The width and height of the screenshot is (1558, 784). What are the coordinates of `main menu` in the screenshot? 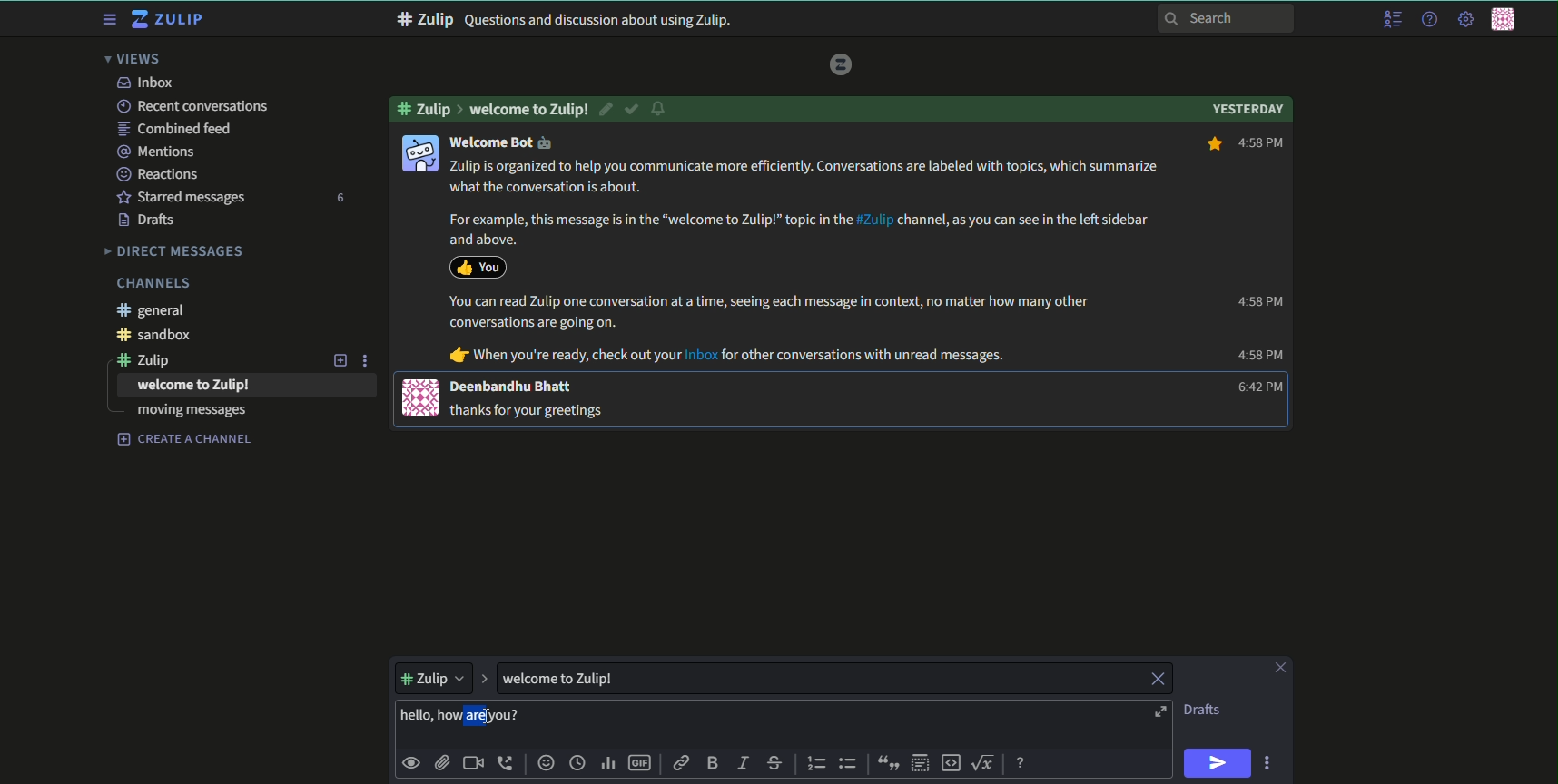 It's located at (1464, 19).